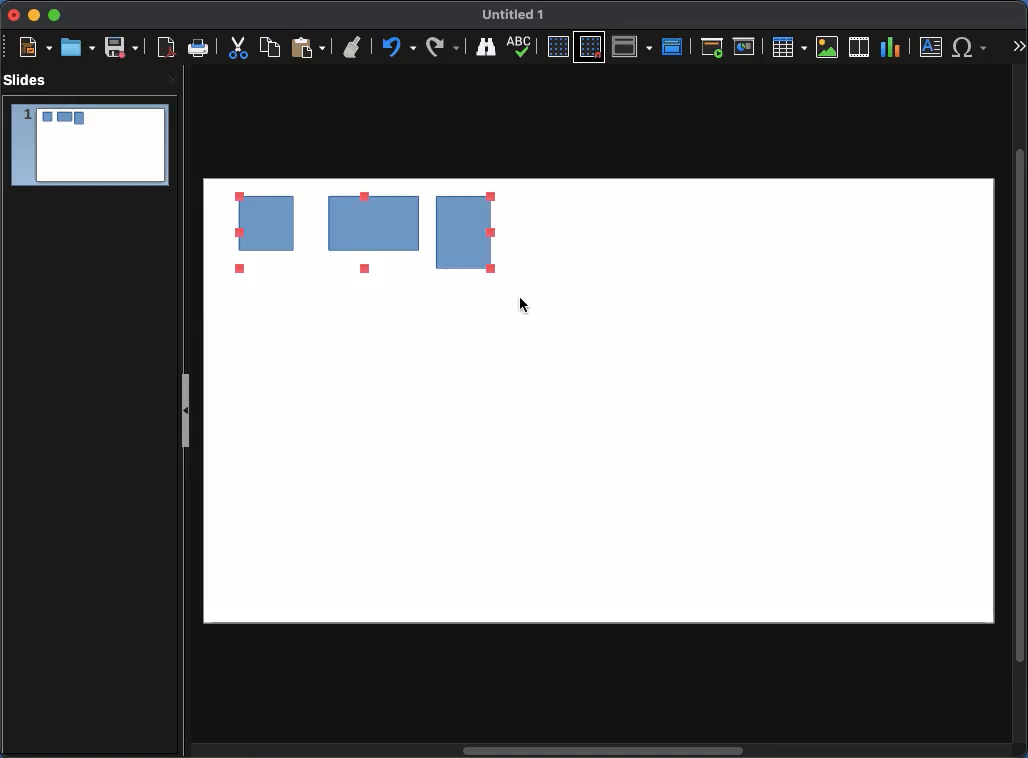 This screenshot has width=1028, height=758. Describe the element at coordinates (524, 48) in the screenshot. I see `Display` at that location.